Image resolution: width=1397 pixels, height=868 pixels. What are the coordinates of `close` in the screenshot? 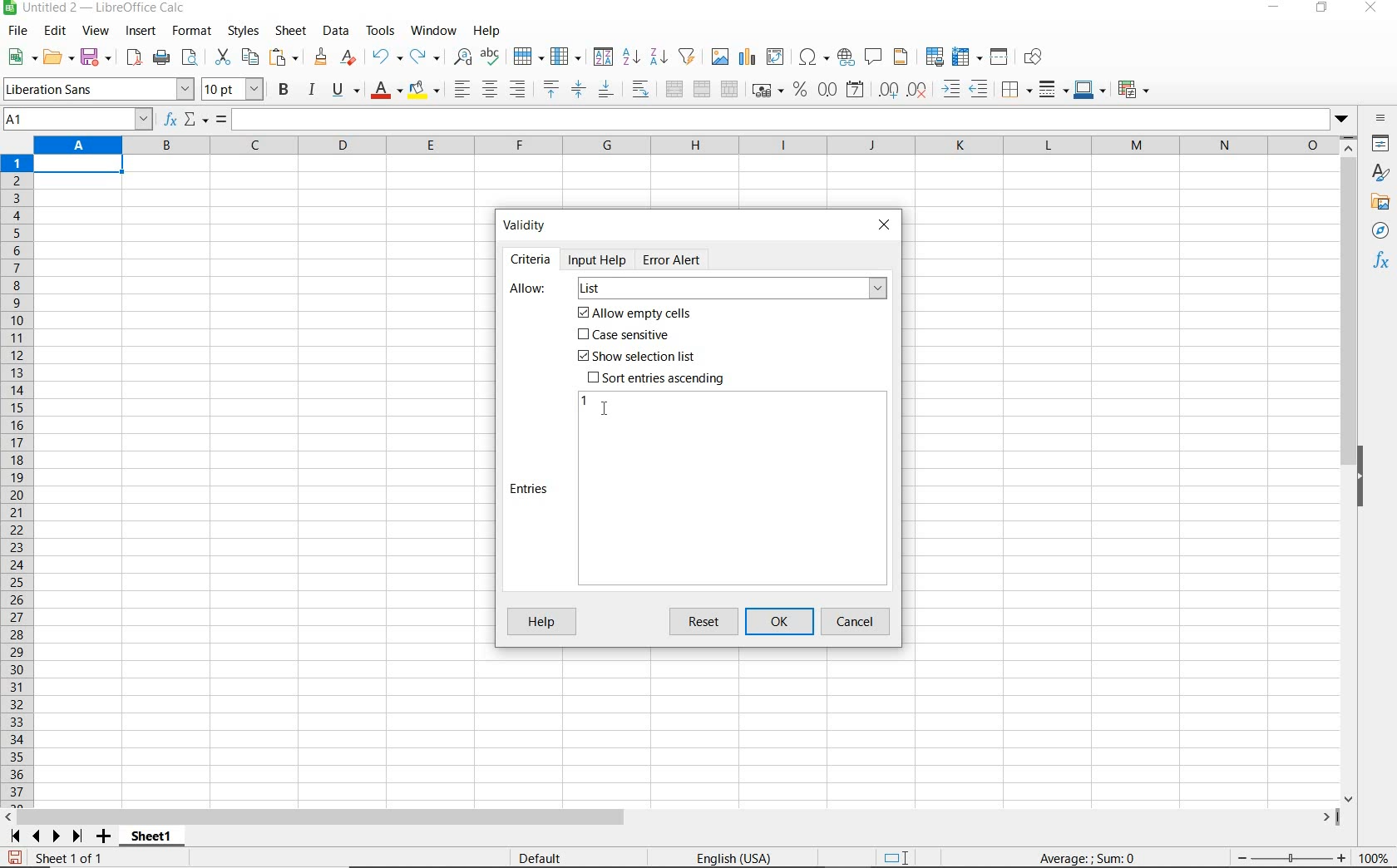 It's located at (1370, 8).